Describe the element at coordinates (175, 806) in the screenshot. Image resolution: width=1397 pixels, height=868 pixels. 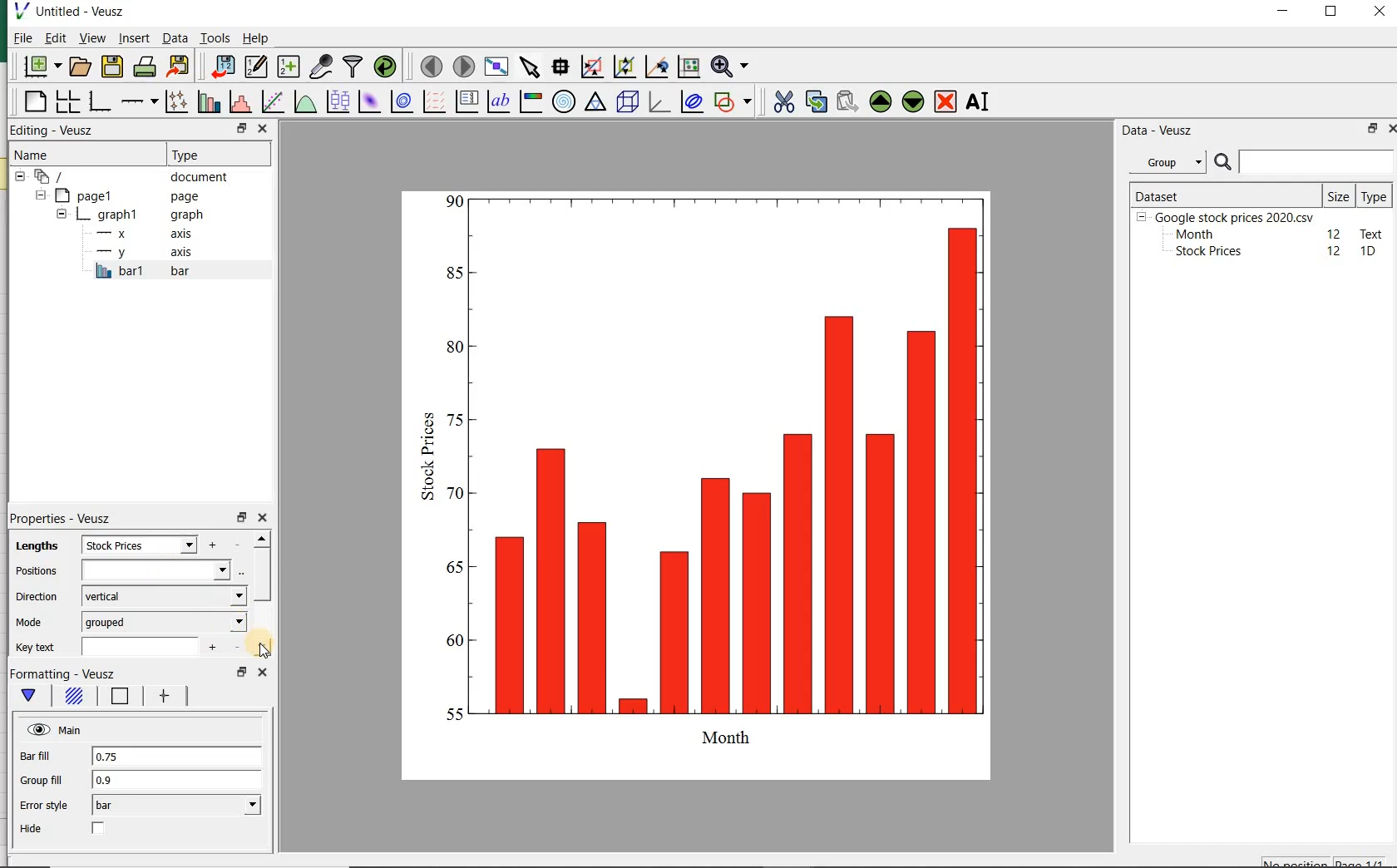
I see `bar` at that location.